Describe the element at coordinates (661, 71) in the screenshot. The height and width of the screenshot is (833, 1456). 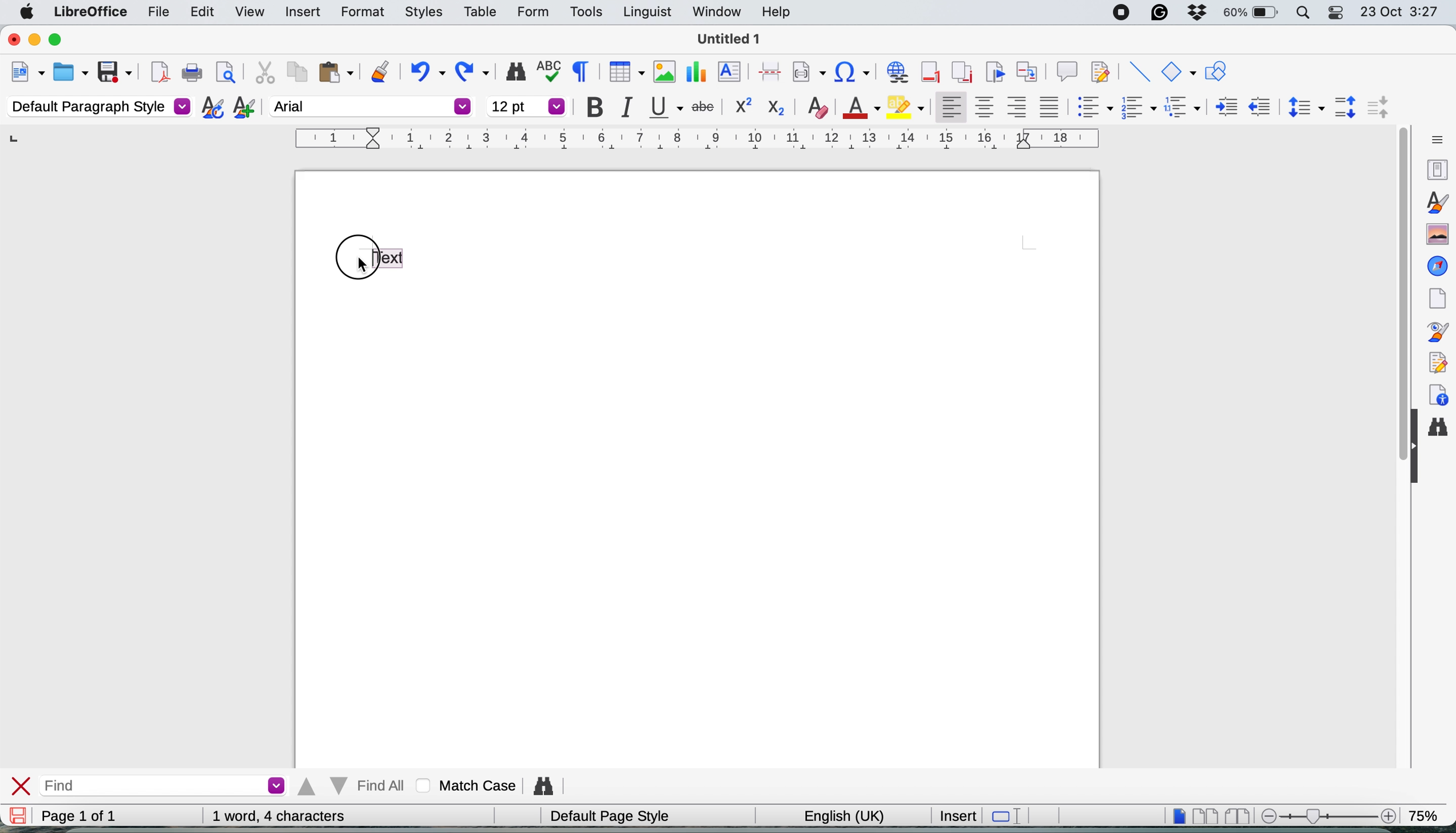
I see `insert image` at that location.